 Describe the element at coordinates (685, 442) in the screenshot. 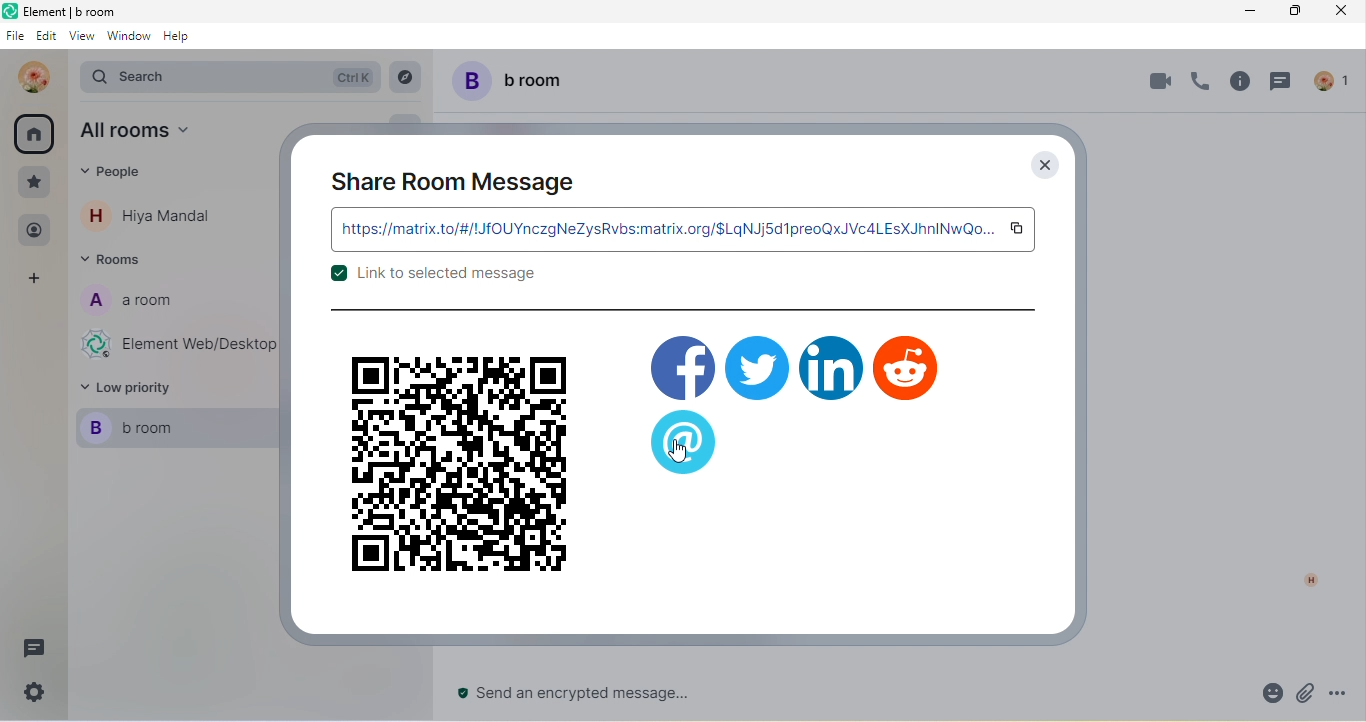

I see `web` at that location.